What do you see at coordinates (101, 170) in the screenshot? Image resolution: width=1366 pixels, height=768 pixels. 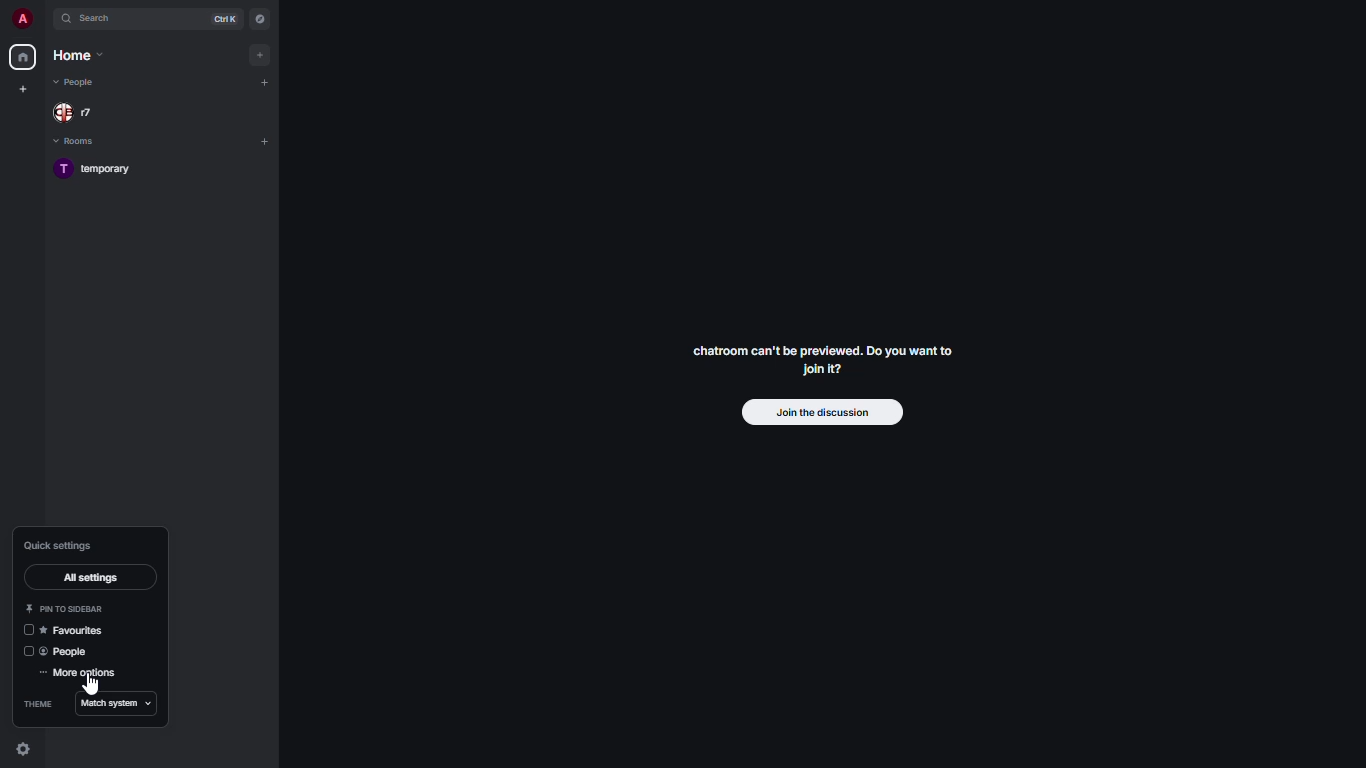 I see `room` at bounding box center [101, 170].